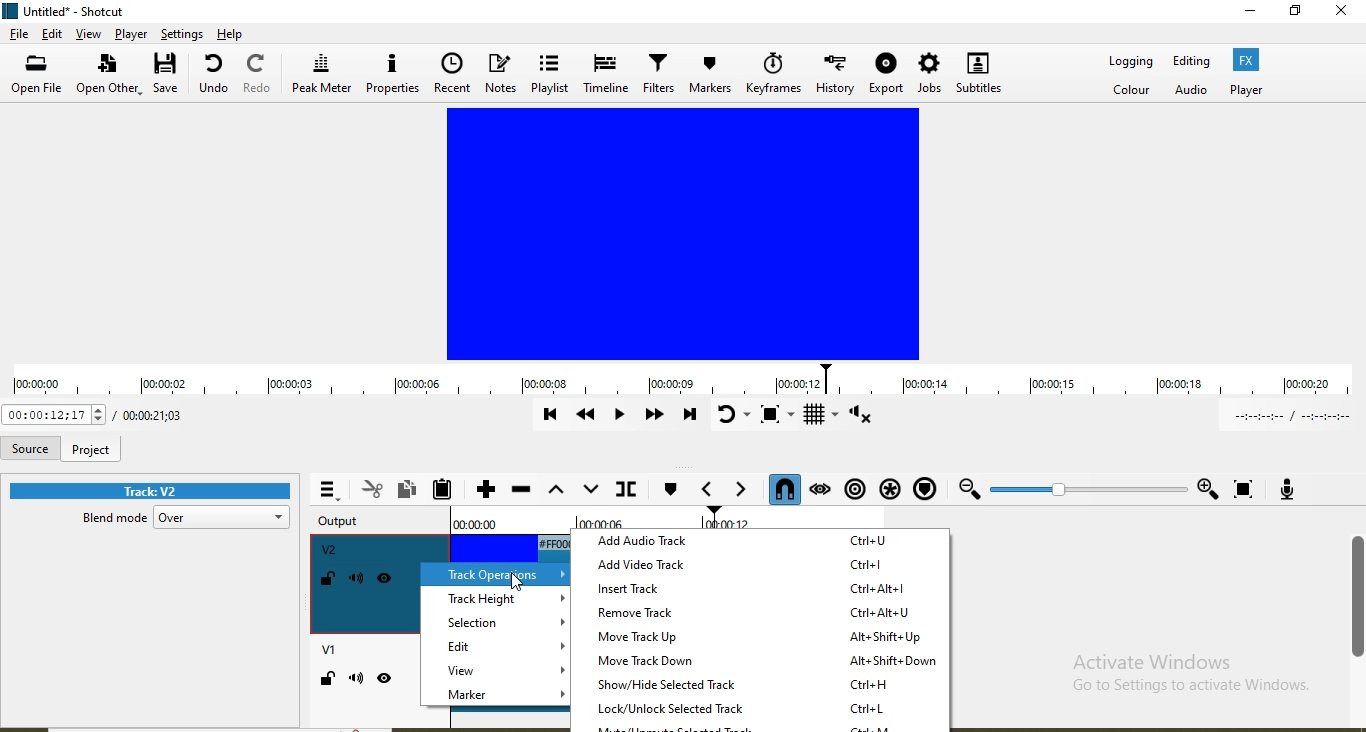  What do you see at coordinates (75, 9) in the screenshot?
I see `file name` at bounding box center [75, 9].